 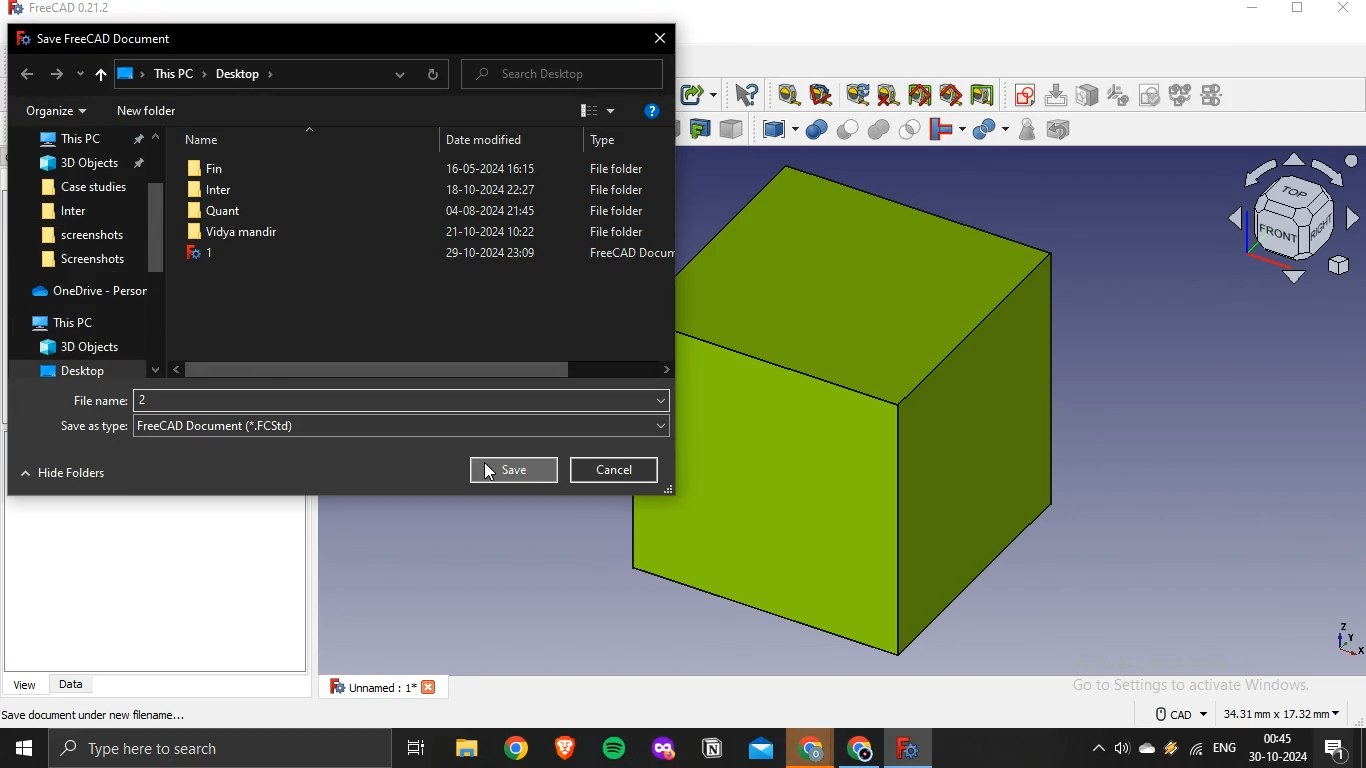 What do you see at coordinates (1148, 750) in the screenshot?
I see `onedrive` at bounding box center [1148, 750].